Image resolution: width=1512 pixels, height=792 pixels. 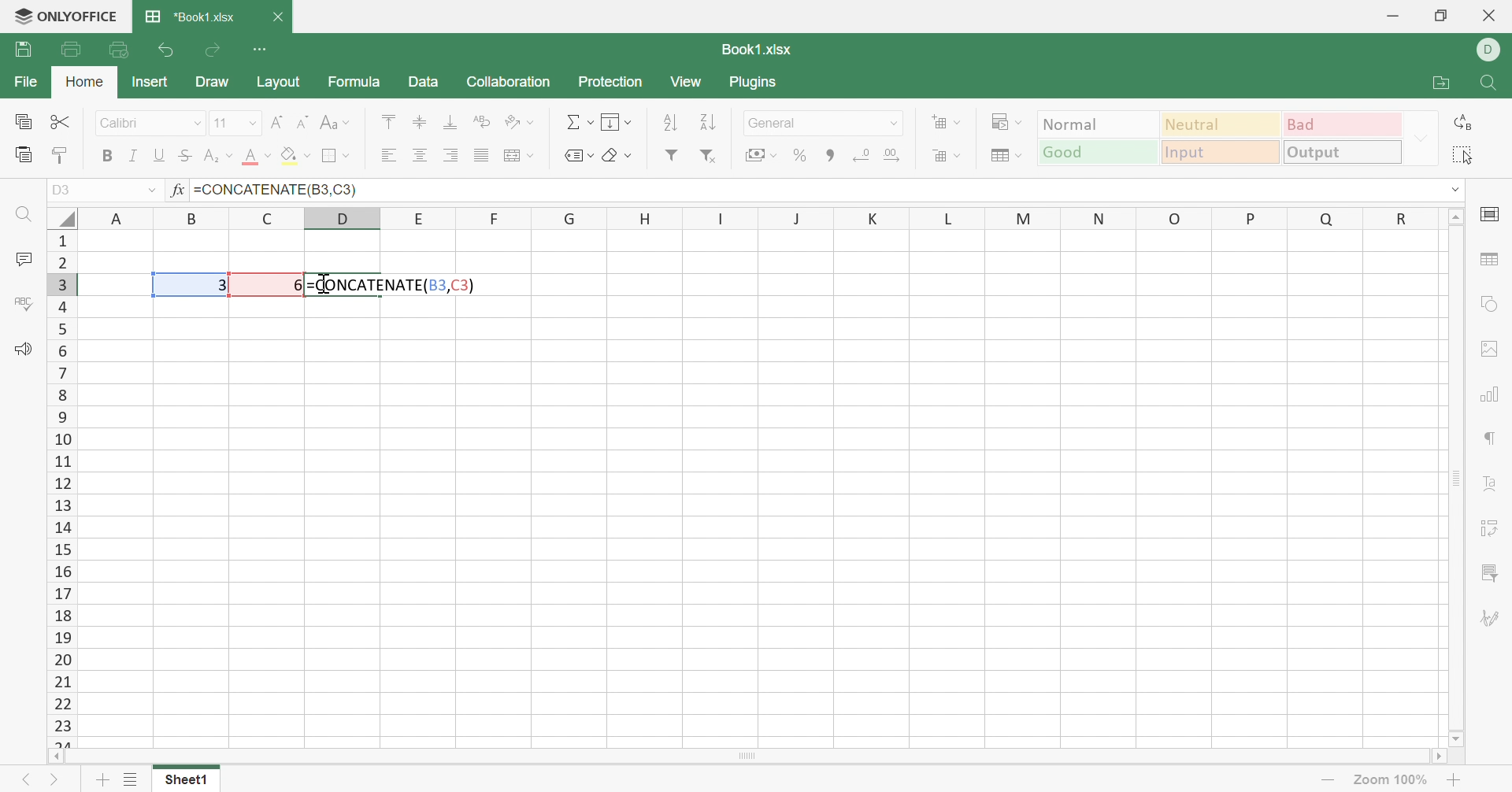 What do you see at coordinates (762, 154) in the screenshot?
I see `Accounting style` at bounding box center [762, 154].